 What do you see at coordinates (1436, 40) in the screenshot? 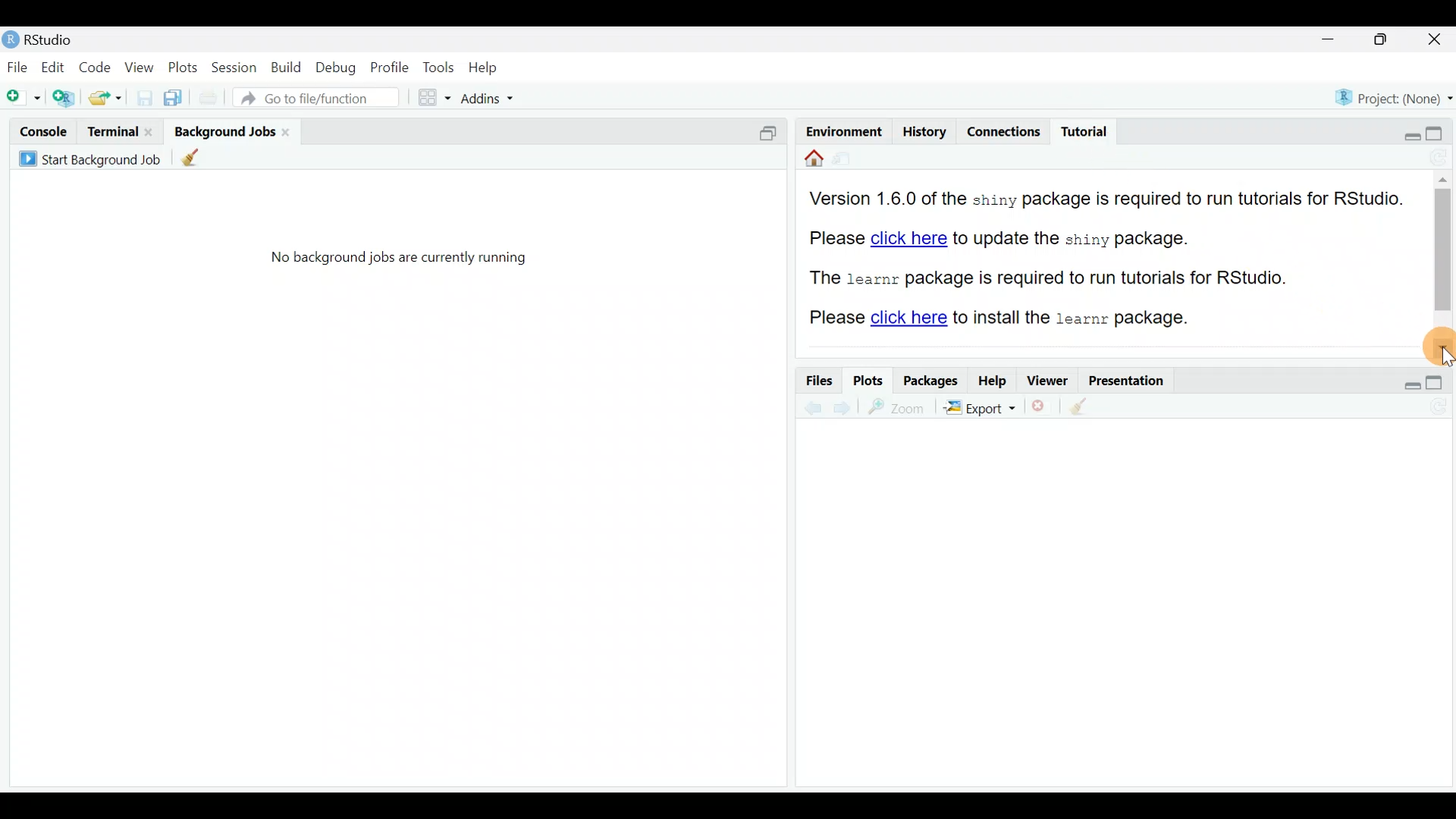
I see `Close` at bounding box center [1436, 40].